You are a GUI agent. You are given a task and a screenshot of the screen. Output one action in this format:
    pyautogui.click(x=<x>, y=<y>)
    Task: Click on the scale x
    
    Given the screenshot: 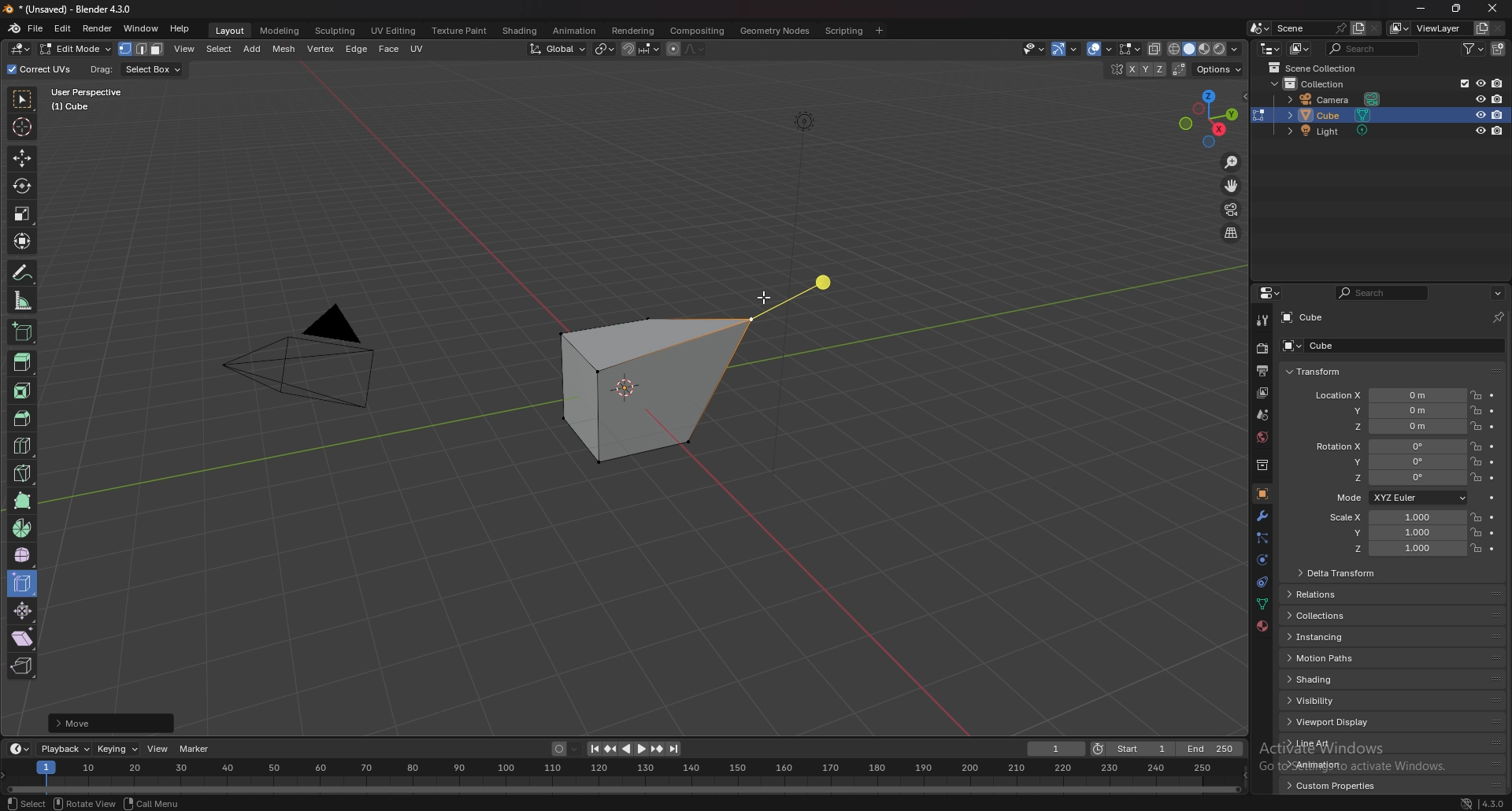 What is the action you would take?
    pyautogui.click(x=1394, y=517)
    